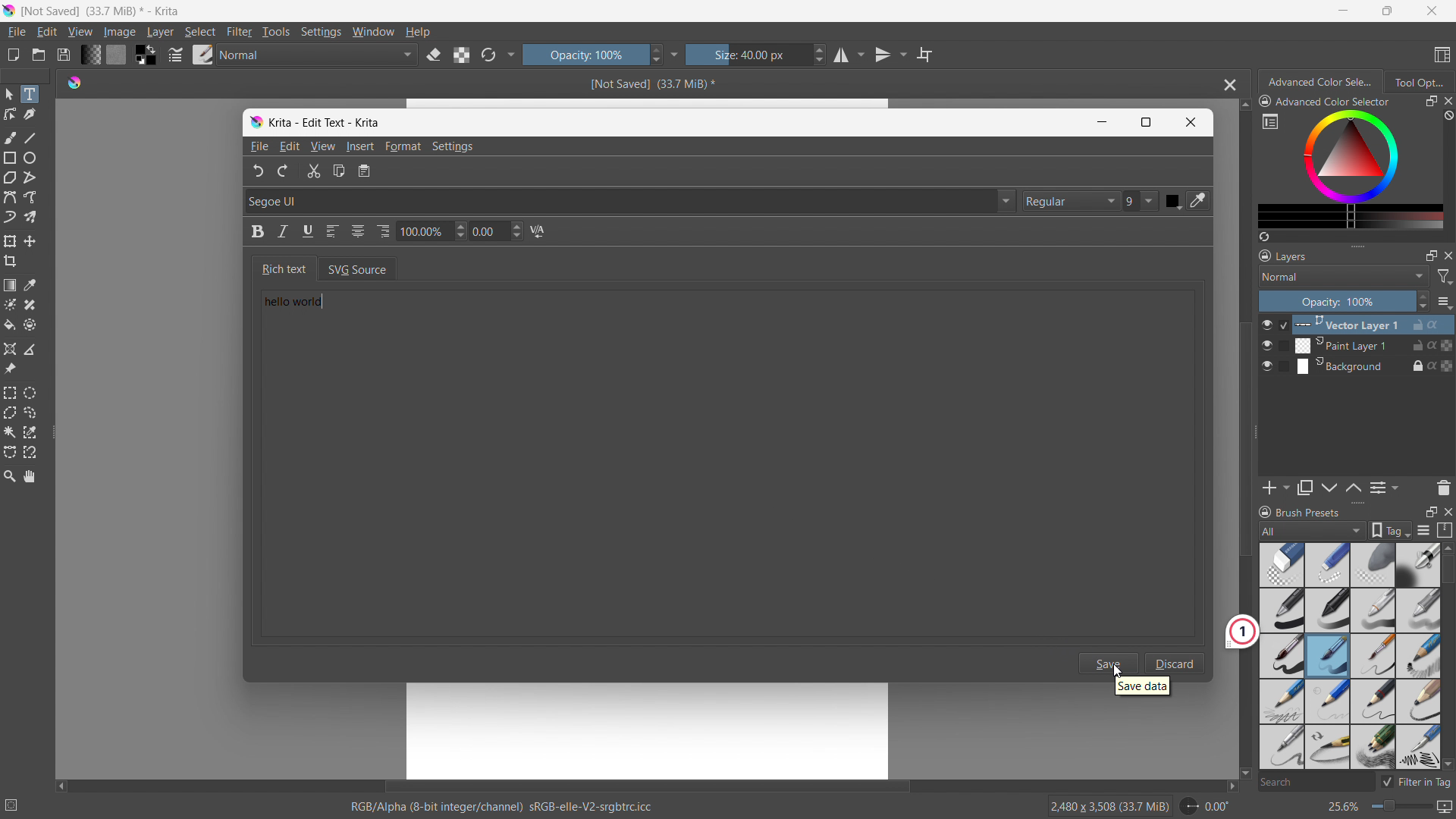  Describe the element at coordinates (1281, 701) in the screenshot. I see `pencil` at that location.